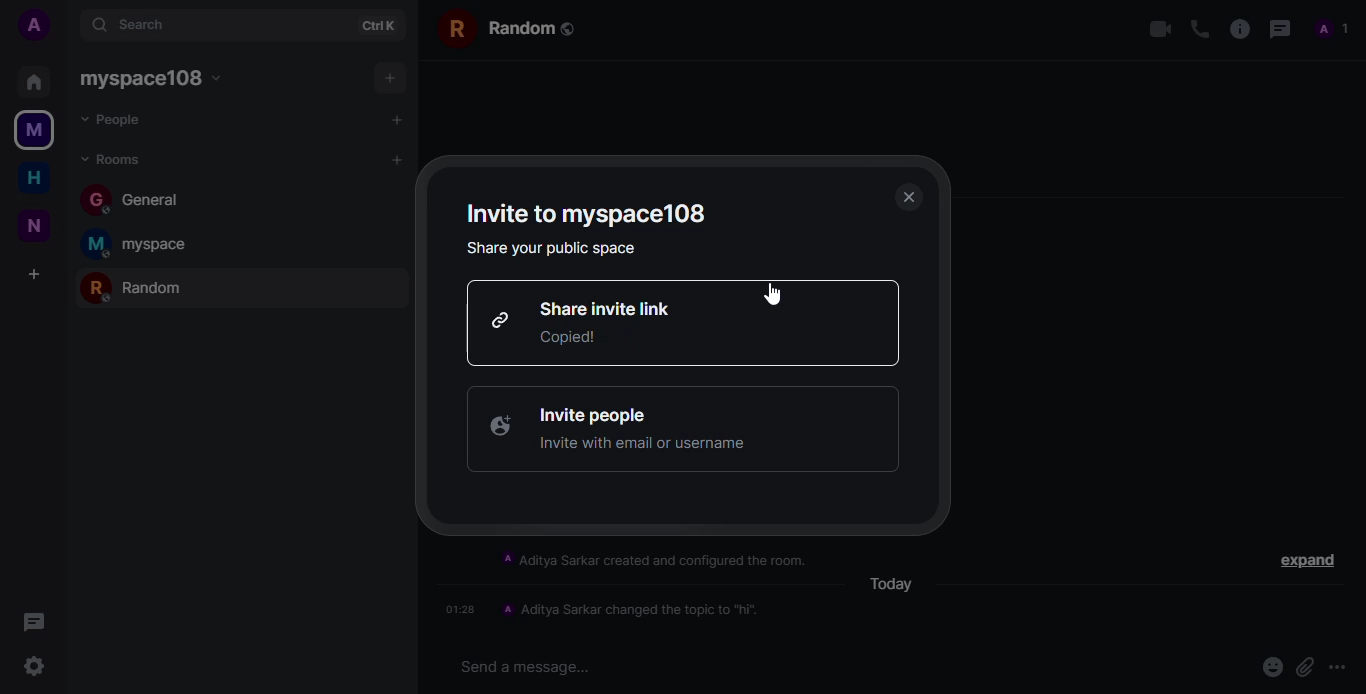 This screenshot has width=1366, height=694. What do you see at coordinates (32, 82) in the screenshot?
I see `home` at bounding box center [32, 82].